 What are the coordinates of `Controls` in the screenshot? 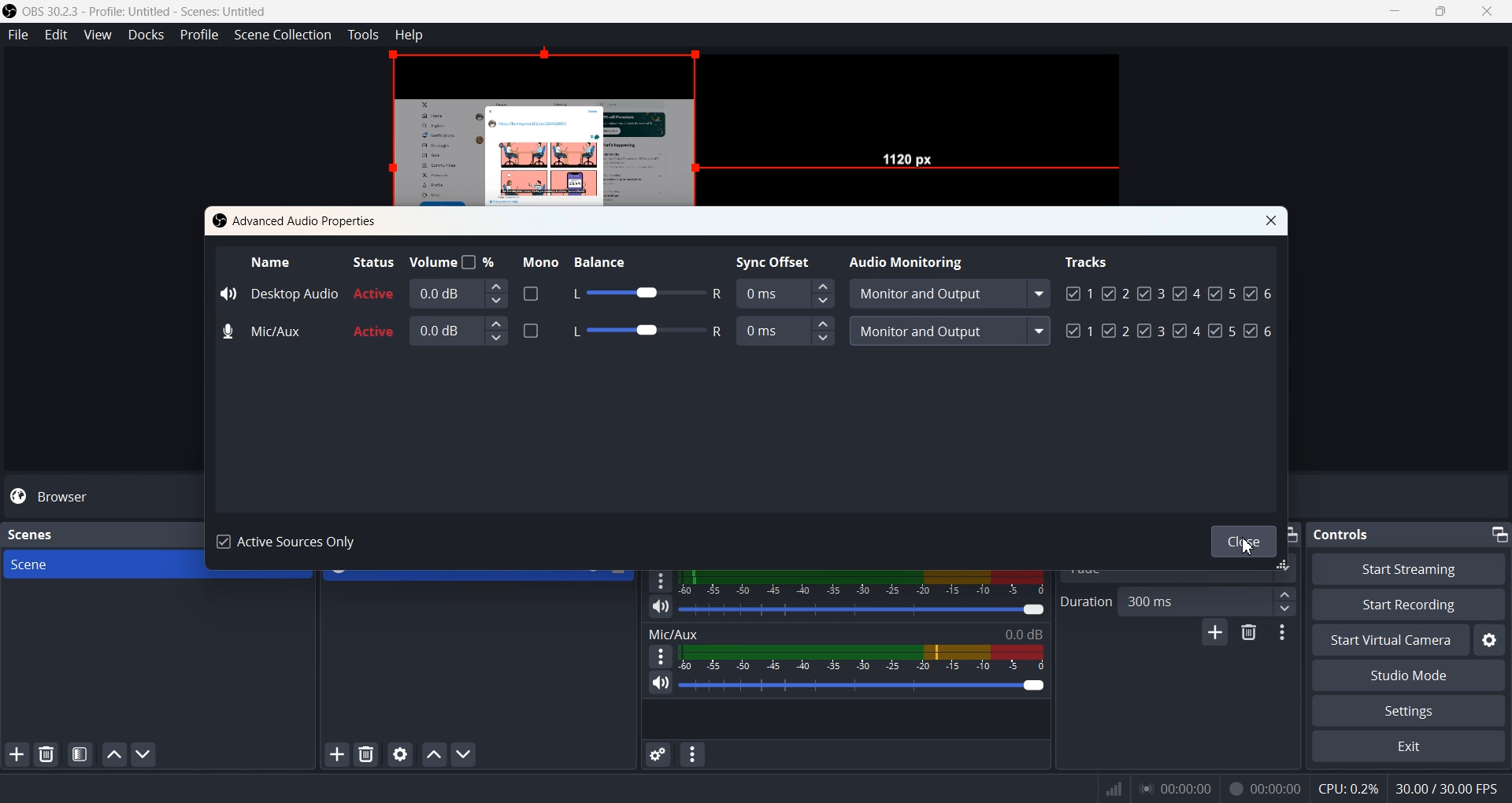 It's located at (1347, 533).